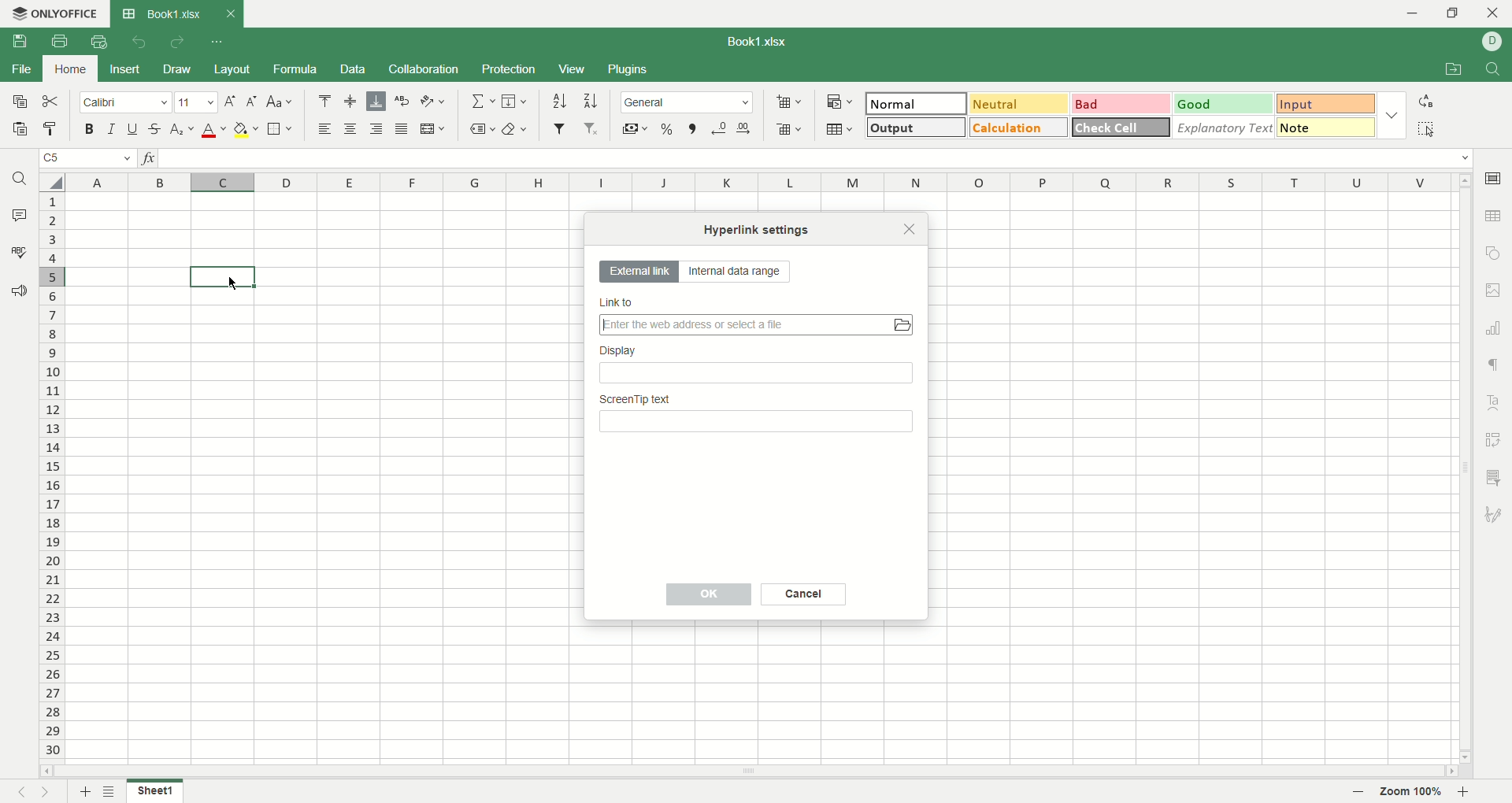  I want to click on named ranges, so click(482, 128).